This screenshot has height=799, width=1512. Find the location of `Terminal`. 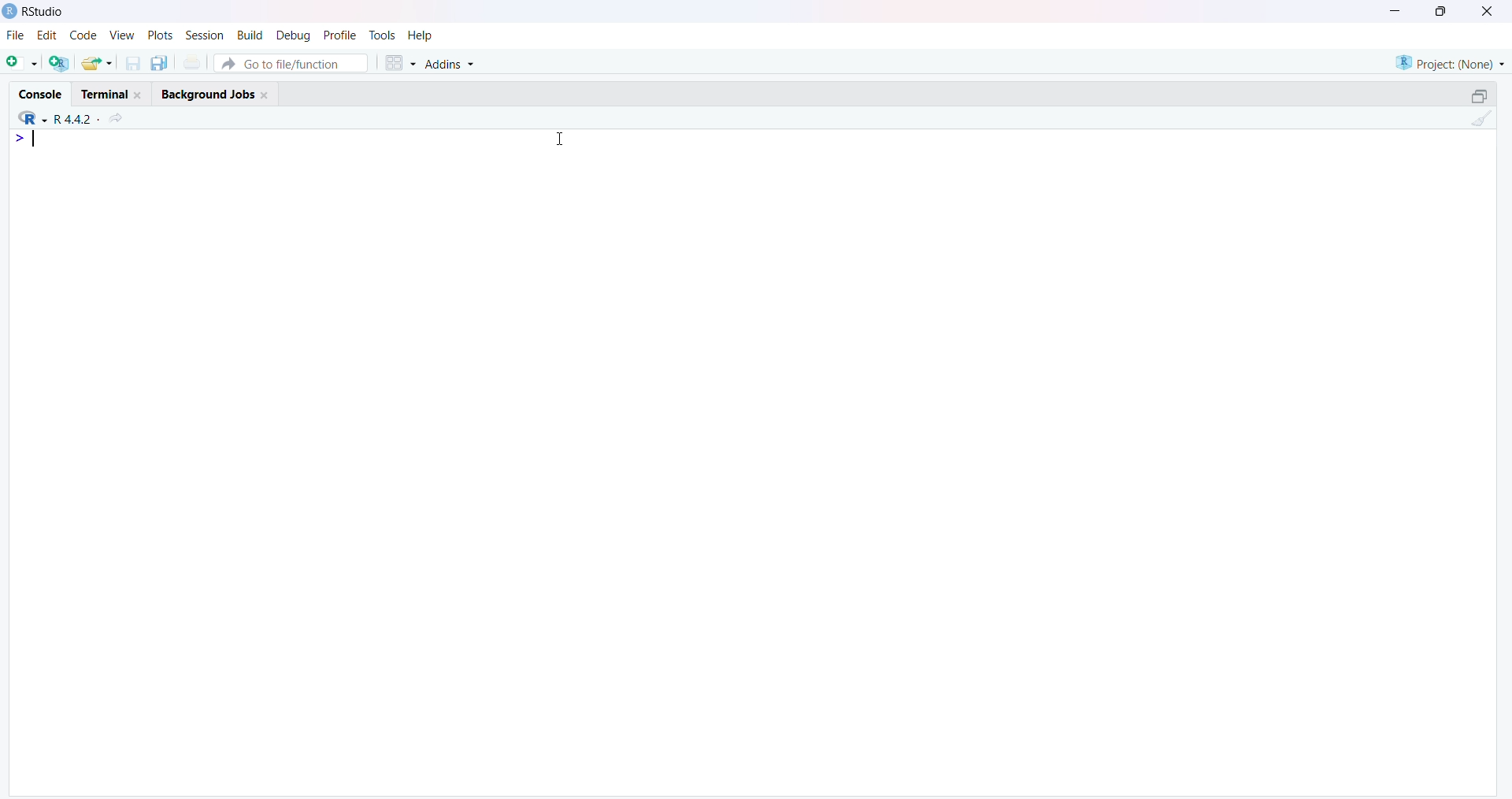

Terminal is located at coordinates (113, 91).